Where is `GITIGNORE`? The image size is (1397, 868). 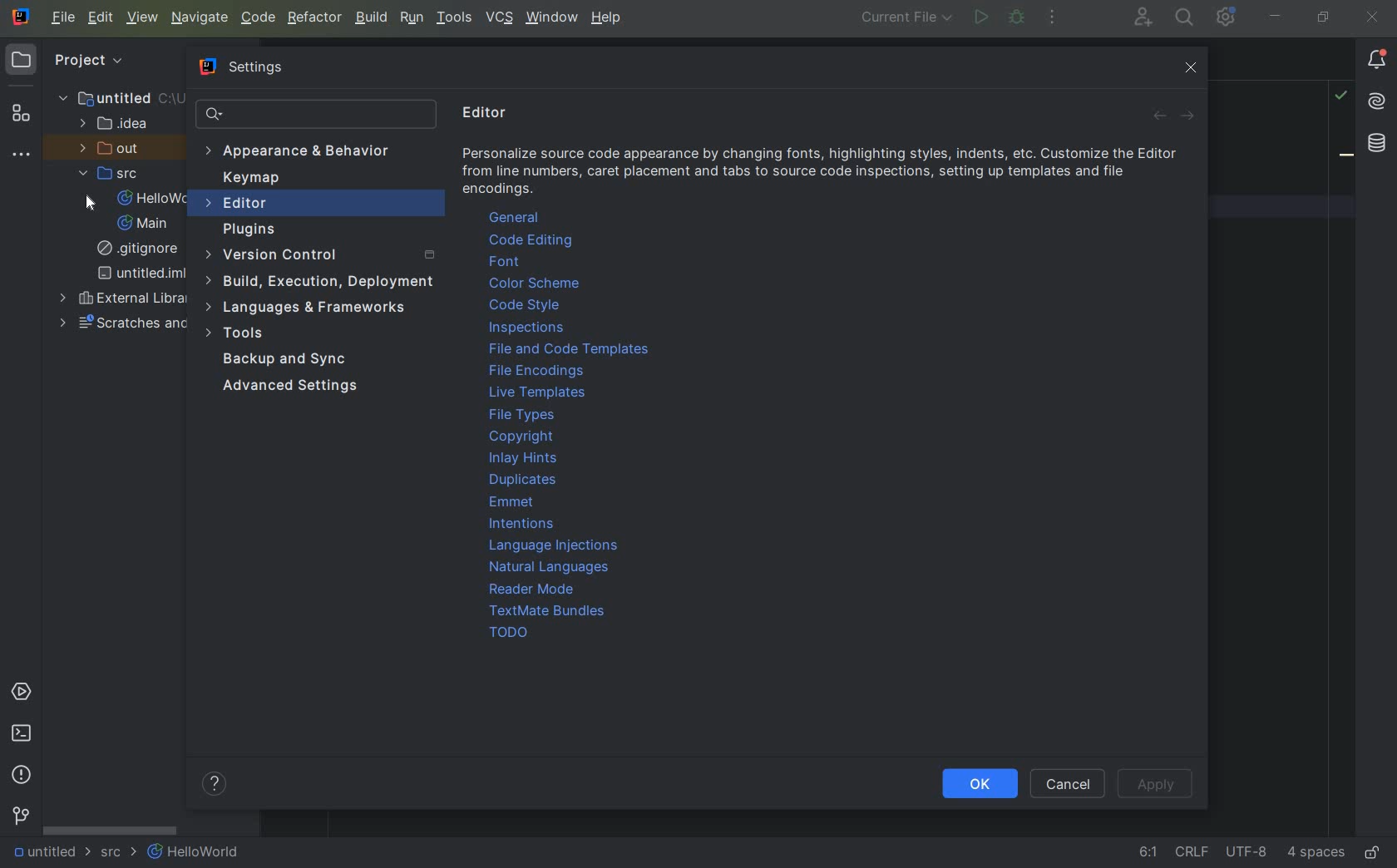
GITIGNORE is located at coordinates (142, 249).